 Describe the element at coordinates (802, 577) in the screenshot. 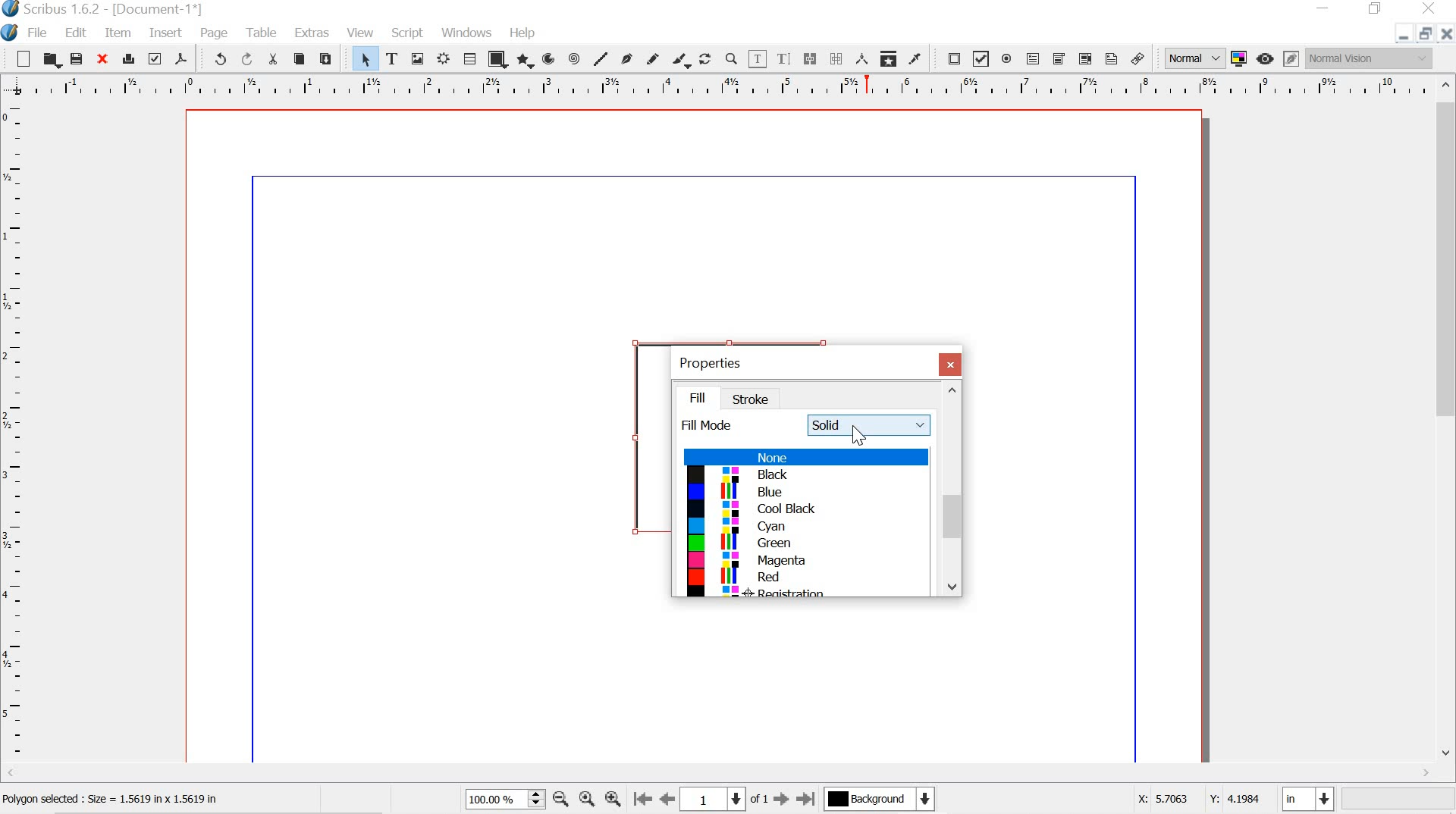

I see `red` at that location.